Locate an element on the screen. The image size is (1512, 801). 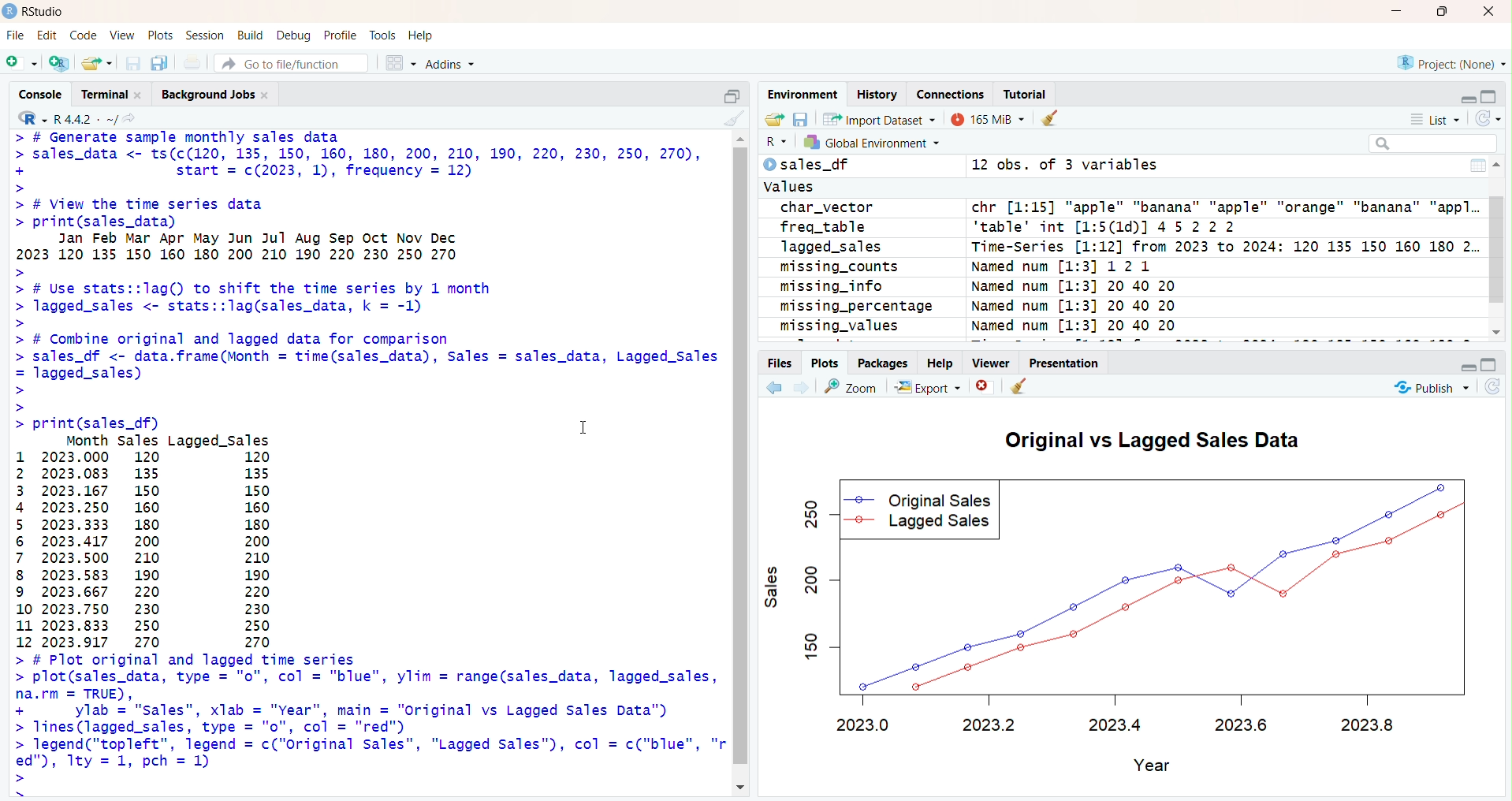
maximize is located at coordinates (1441, 11).